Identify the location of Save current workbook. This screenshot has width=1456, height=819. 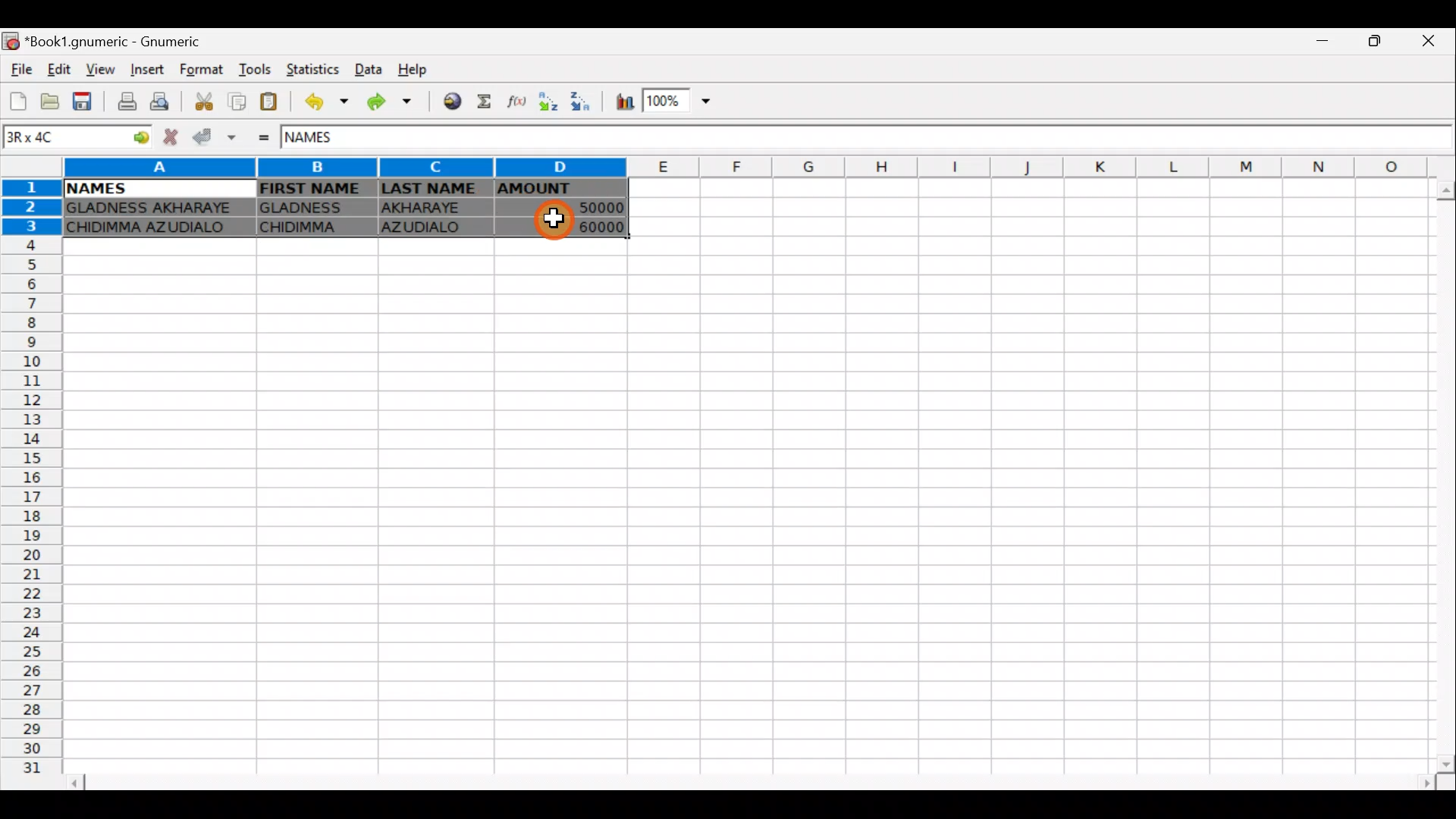
(85, 100).